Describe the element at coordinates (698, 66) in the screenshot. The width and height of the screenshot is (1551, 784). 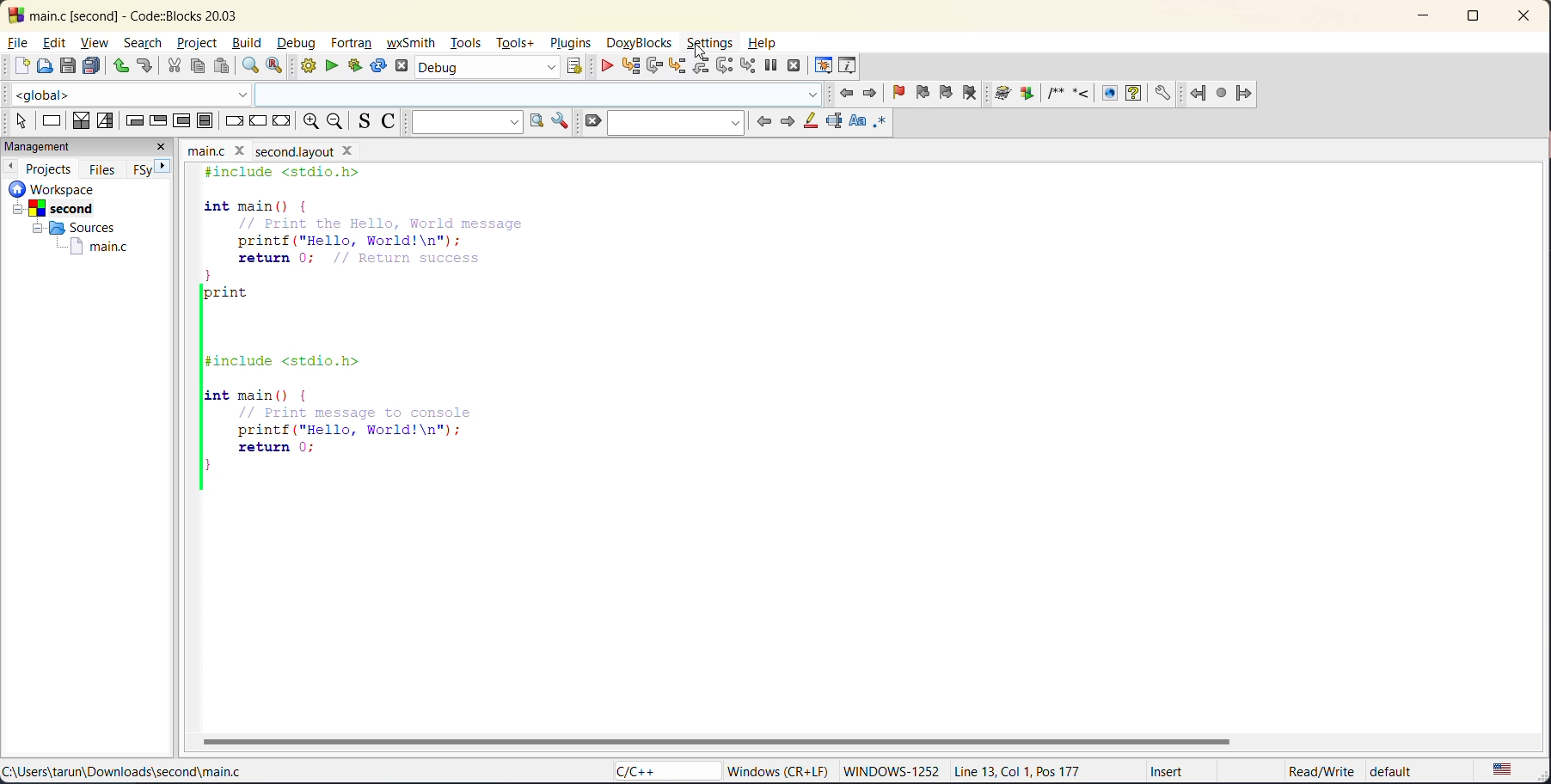
I see `step out` at that location.